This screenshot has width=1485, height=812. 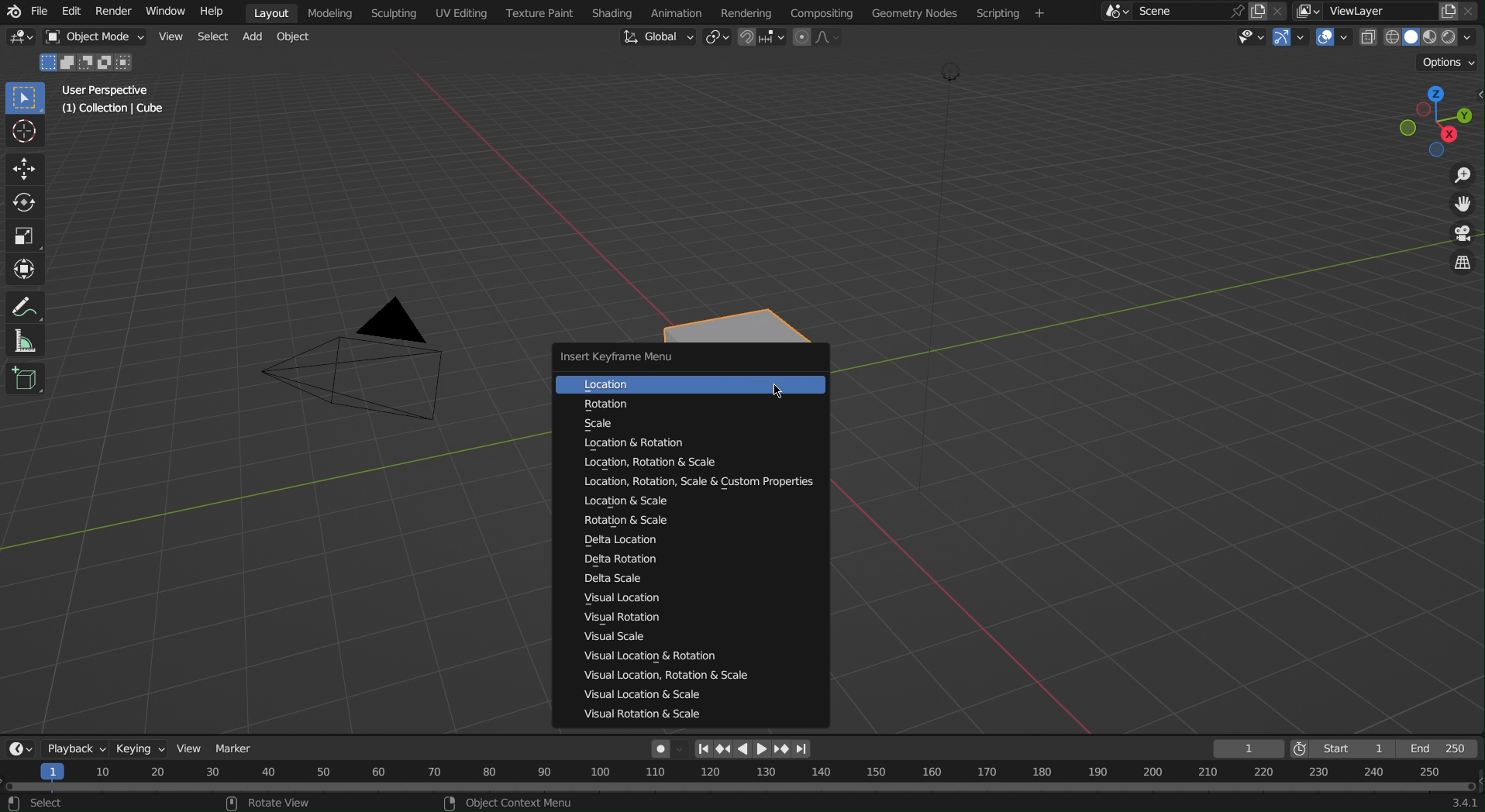 I want to click on Location & Rotation, so click(x=643, y=444).